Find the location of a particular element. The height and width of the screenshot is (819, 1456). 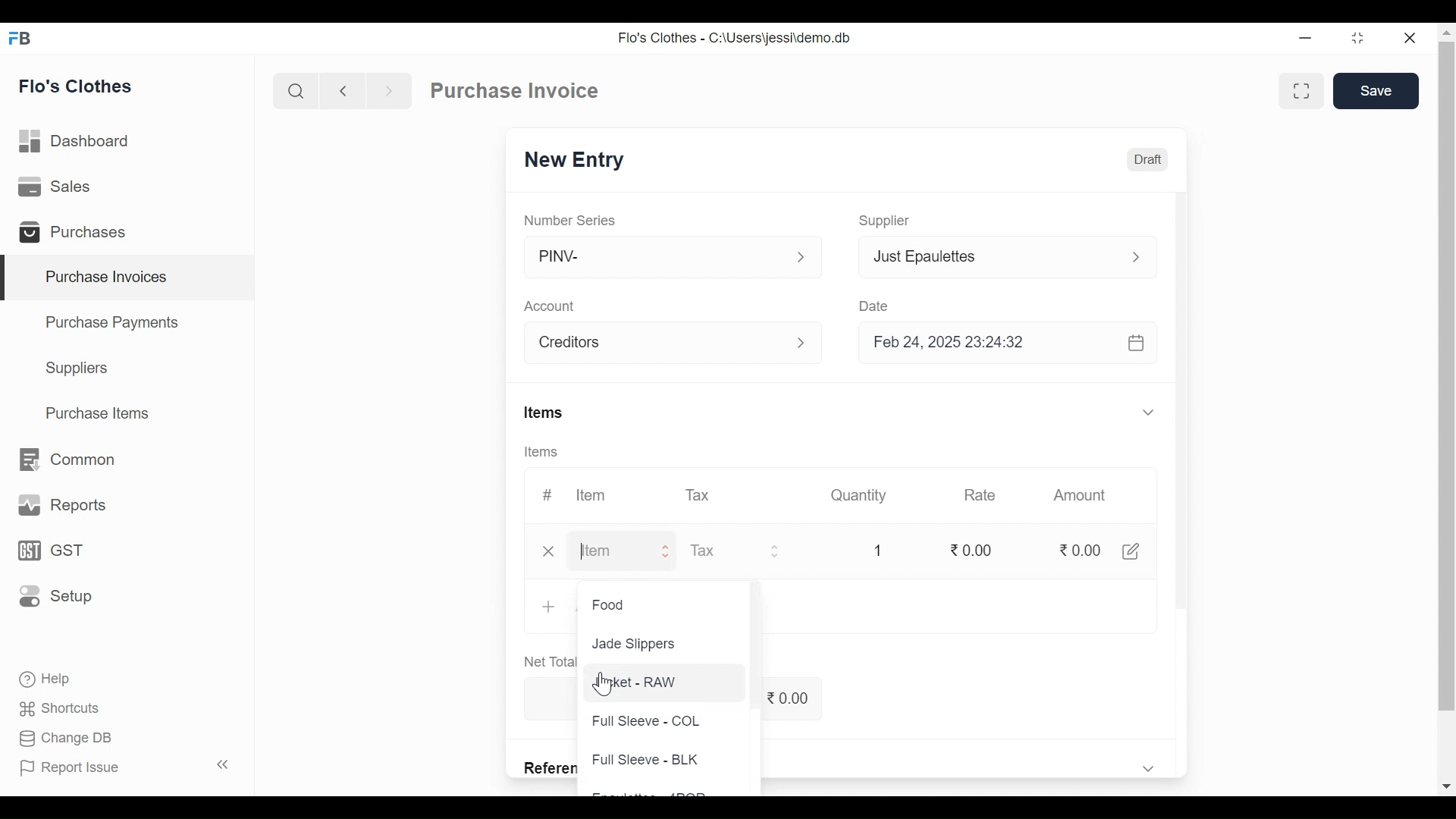

Scroll down is located at coordinates (1446, 787).